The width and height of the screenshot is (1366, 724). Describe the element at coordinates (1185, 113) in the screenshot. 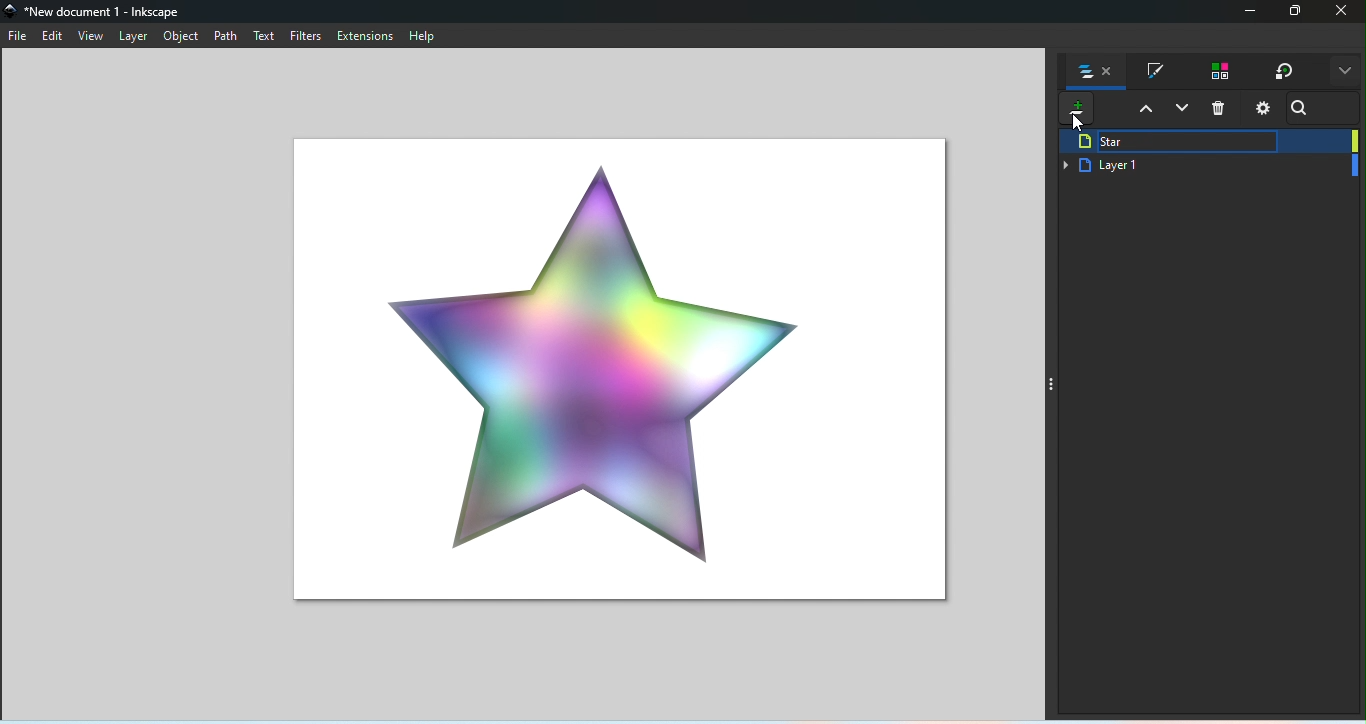

I see `Lower selection one layer` at that location.